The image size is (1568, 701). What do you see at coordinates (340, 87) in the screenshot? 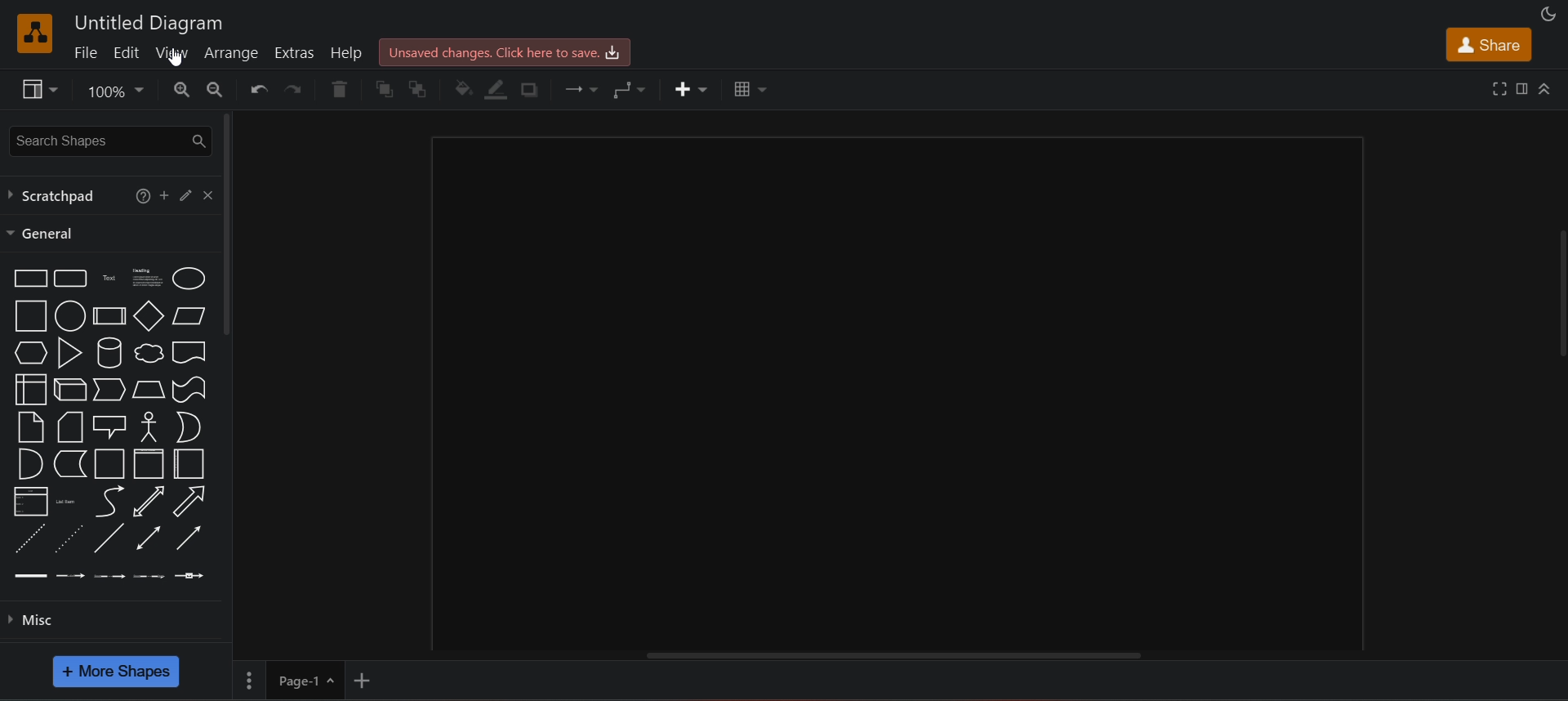
I see `delete` at bounding box center [340, 87].